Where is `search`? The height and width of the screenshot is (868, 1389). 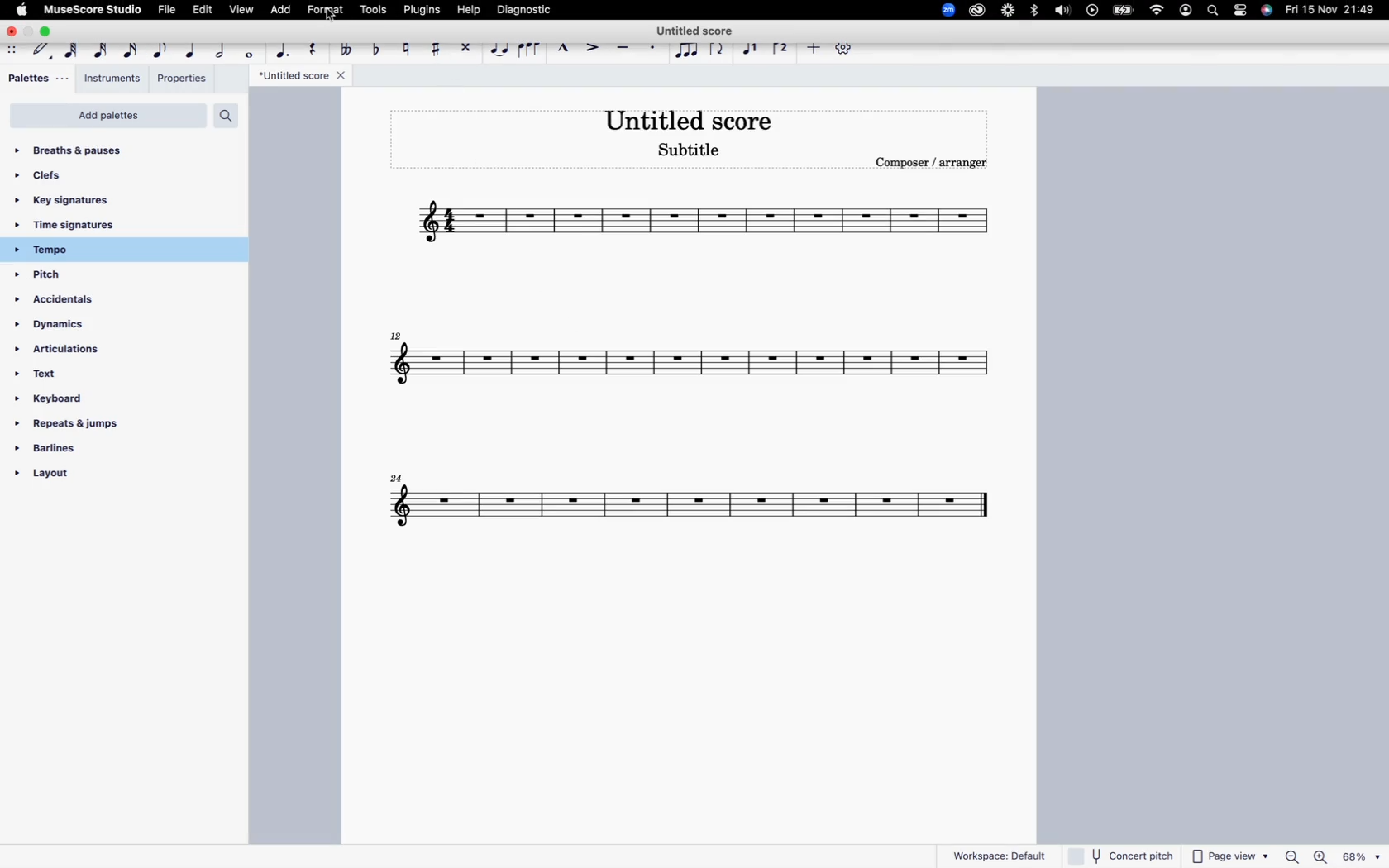
search is located at coordinates (1215, 12).